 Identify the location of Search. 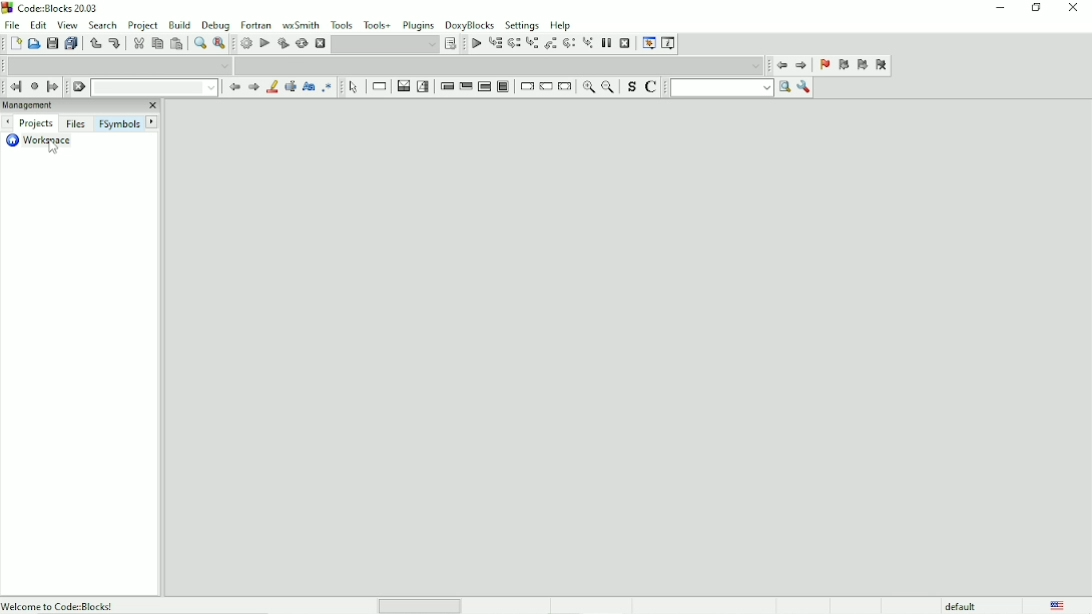
(104, 25).